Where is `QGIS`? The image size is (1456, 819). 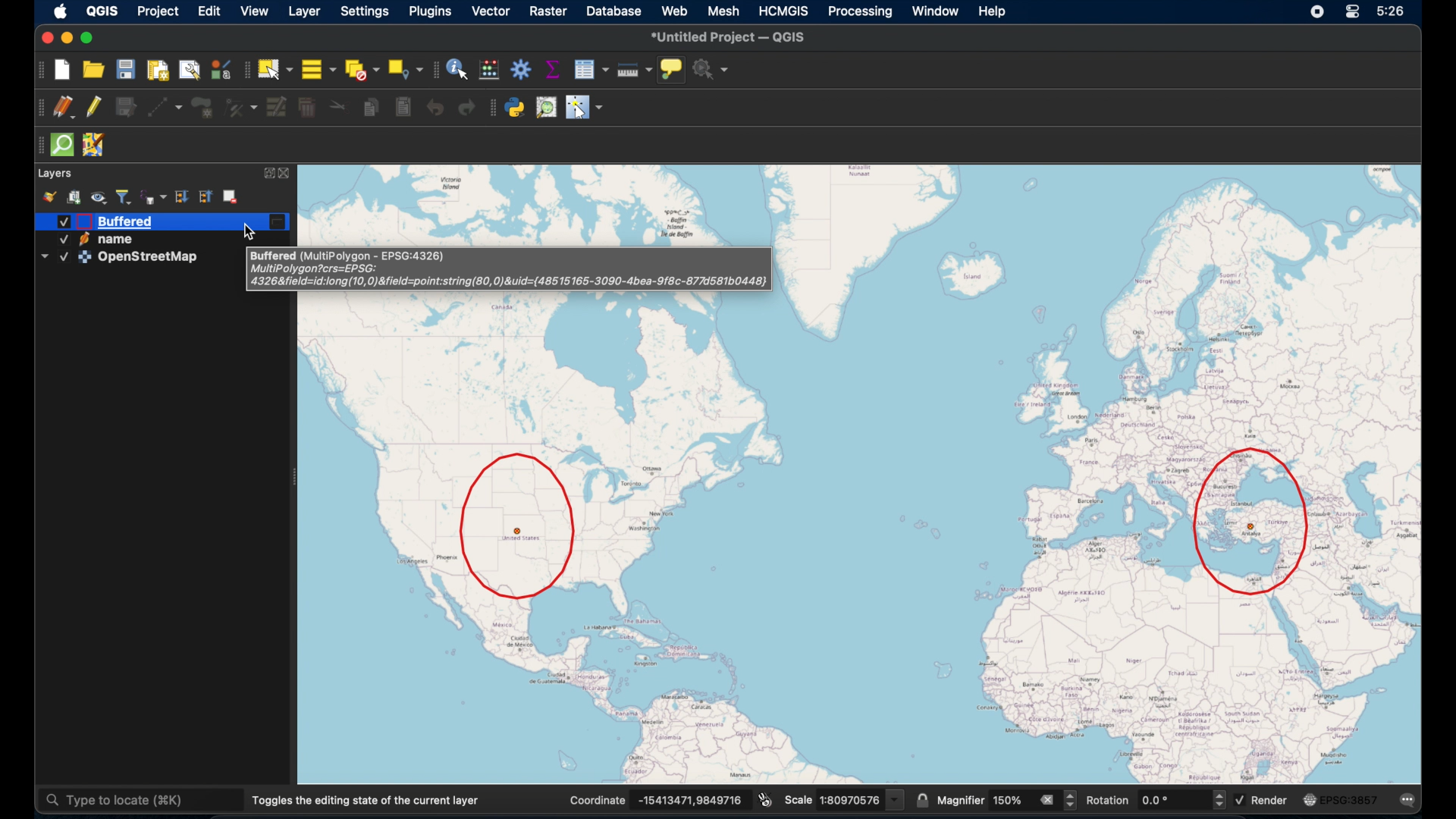 QGIS is located at coordinates (102, 11).